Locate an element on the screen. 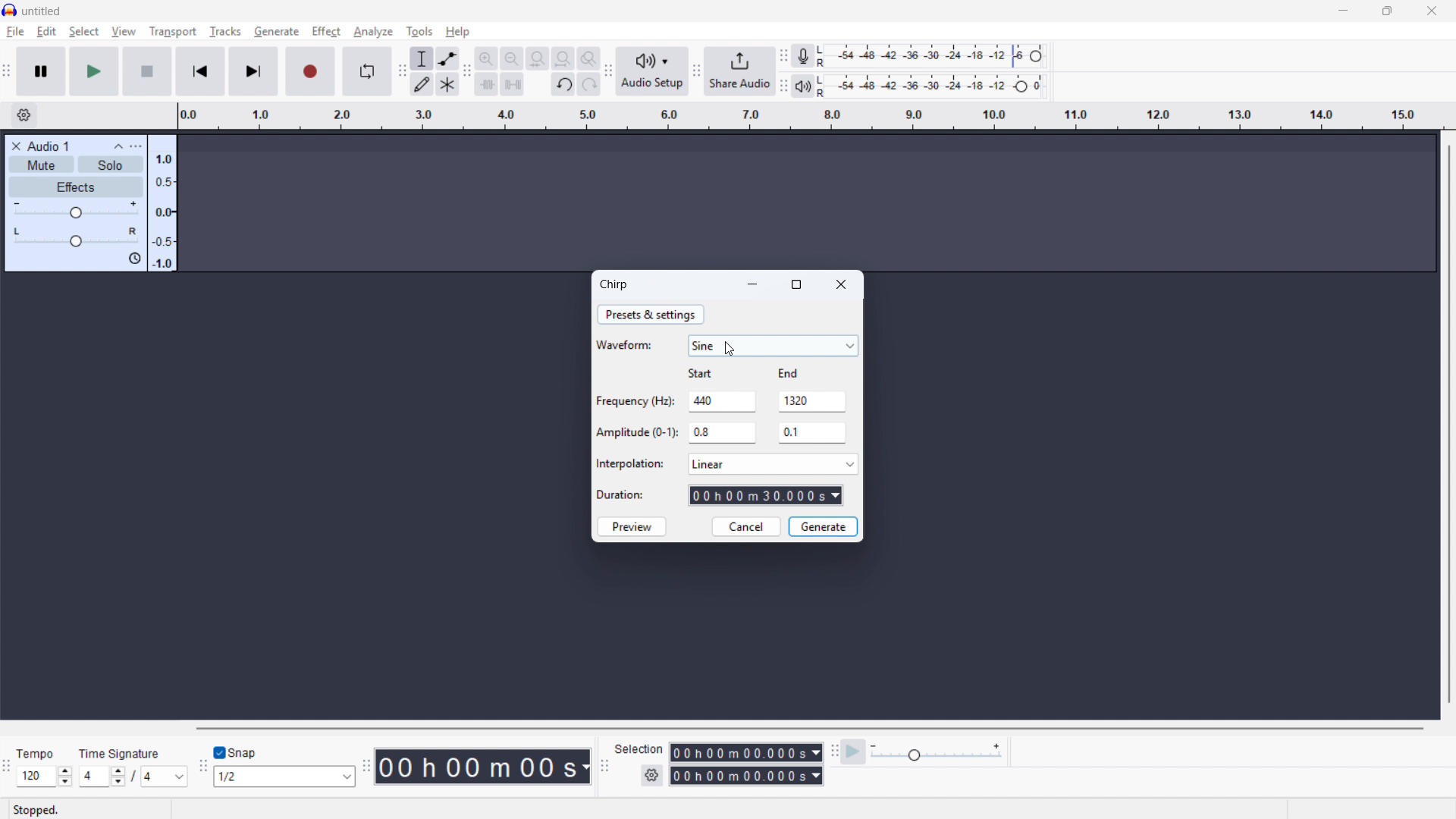 This screenshot has height=819, width=1456. Effects  is located at coordinates (76, 187).